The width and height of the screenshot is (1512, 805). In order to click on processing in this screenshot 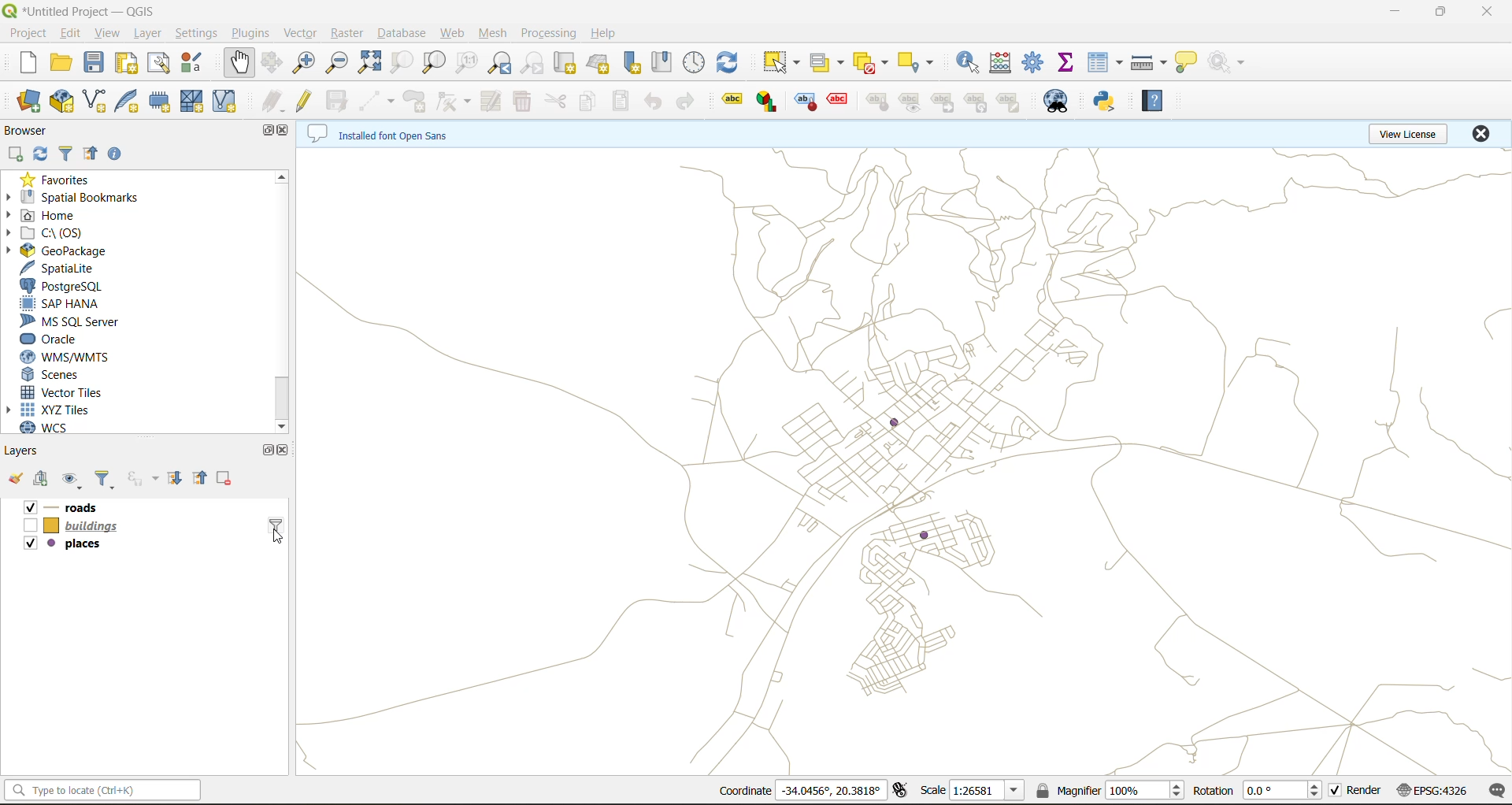, I will do `click(548, 35)`.